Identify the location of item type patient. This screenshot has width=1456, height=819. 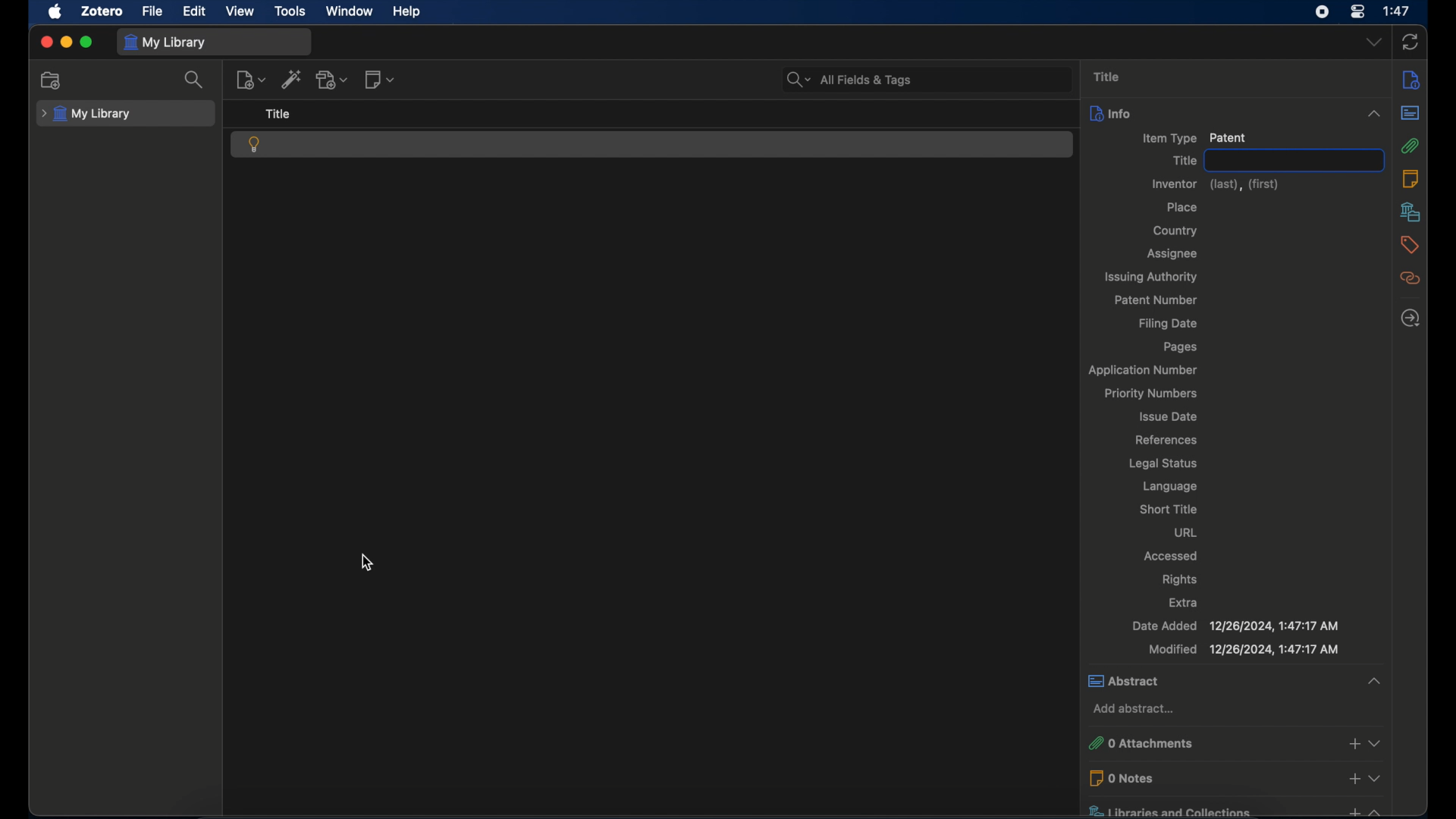
(1194, 137).